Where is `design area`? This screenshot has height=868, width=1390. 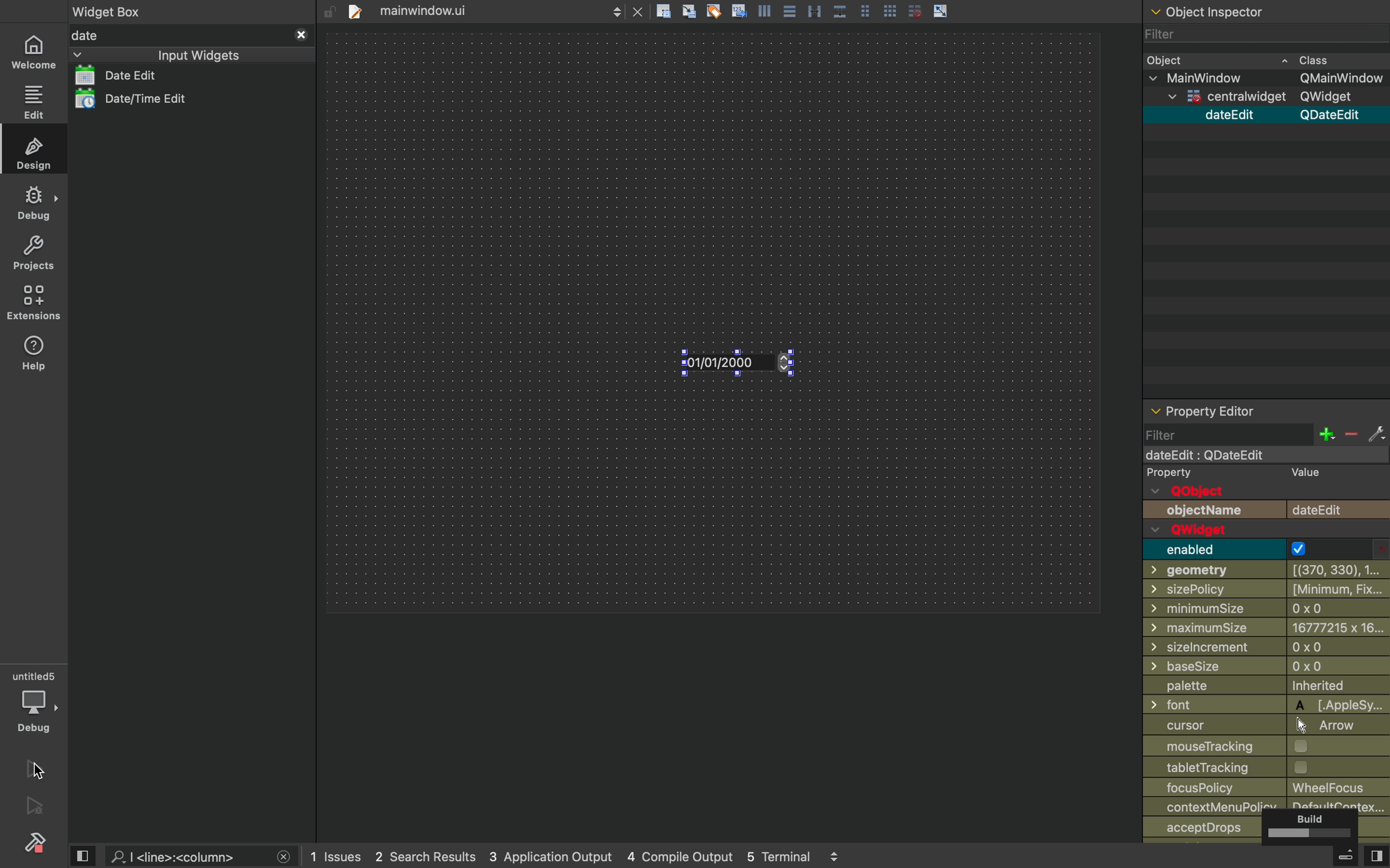 design area is located at coordinates (712, 321).